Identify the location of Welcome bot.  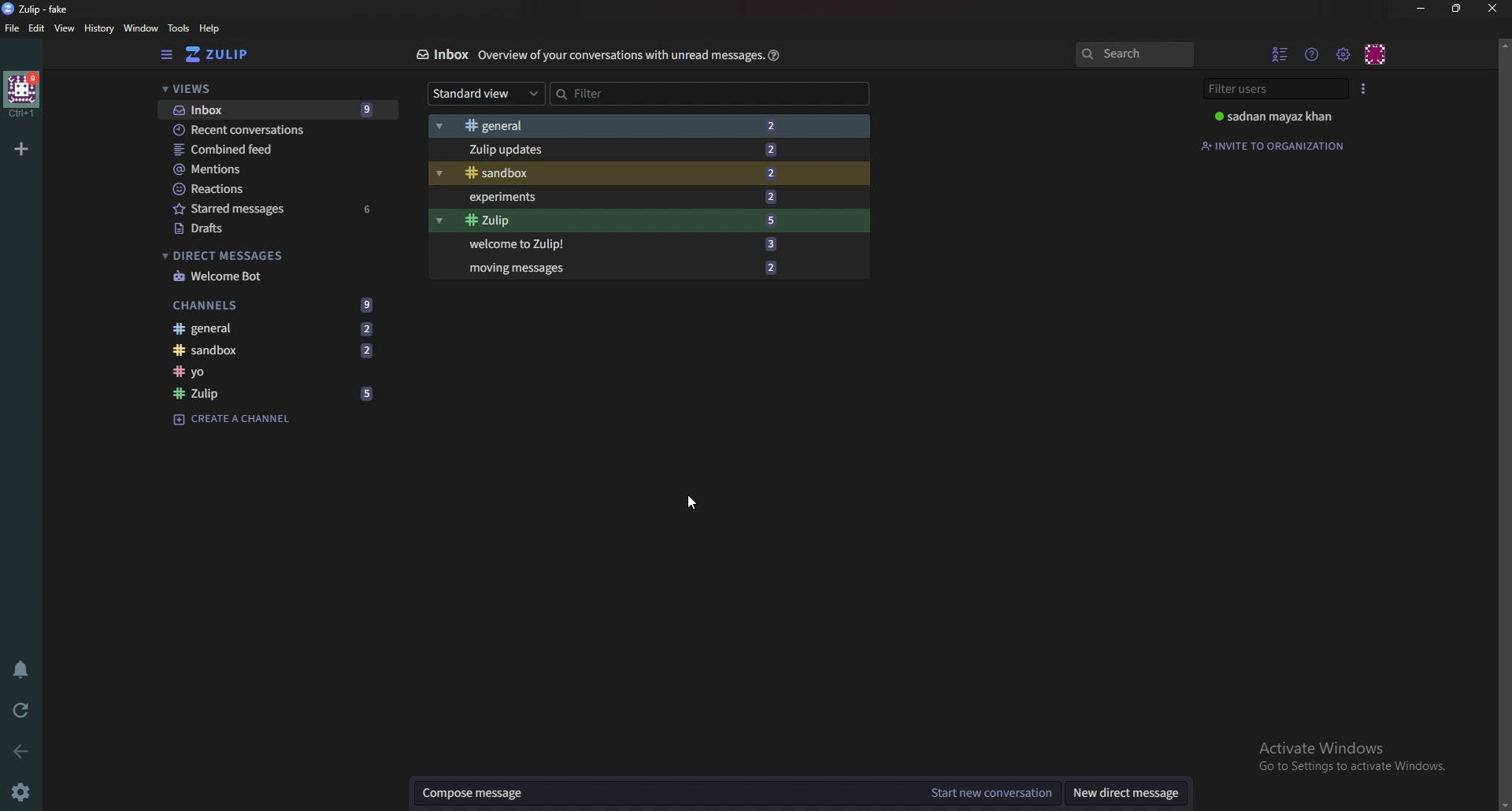
(253, 276).